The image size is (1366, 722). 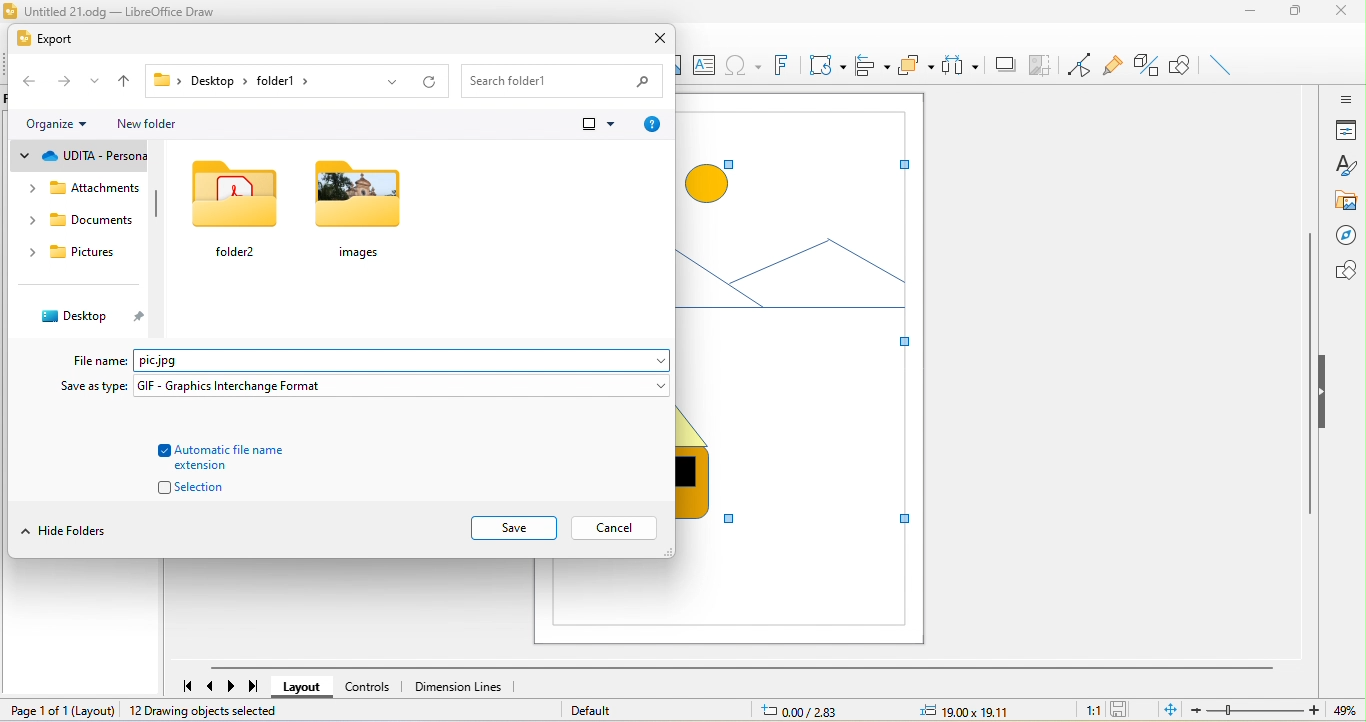 What do you see at coordinates (82, 156) in the screenshot?
I see `@ UDITA- Persona.` at bounding box center [82, 156].